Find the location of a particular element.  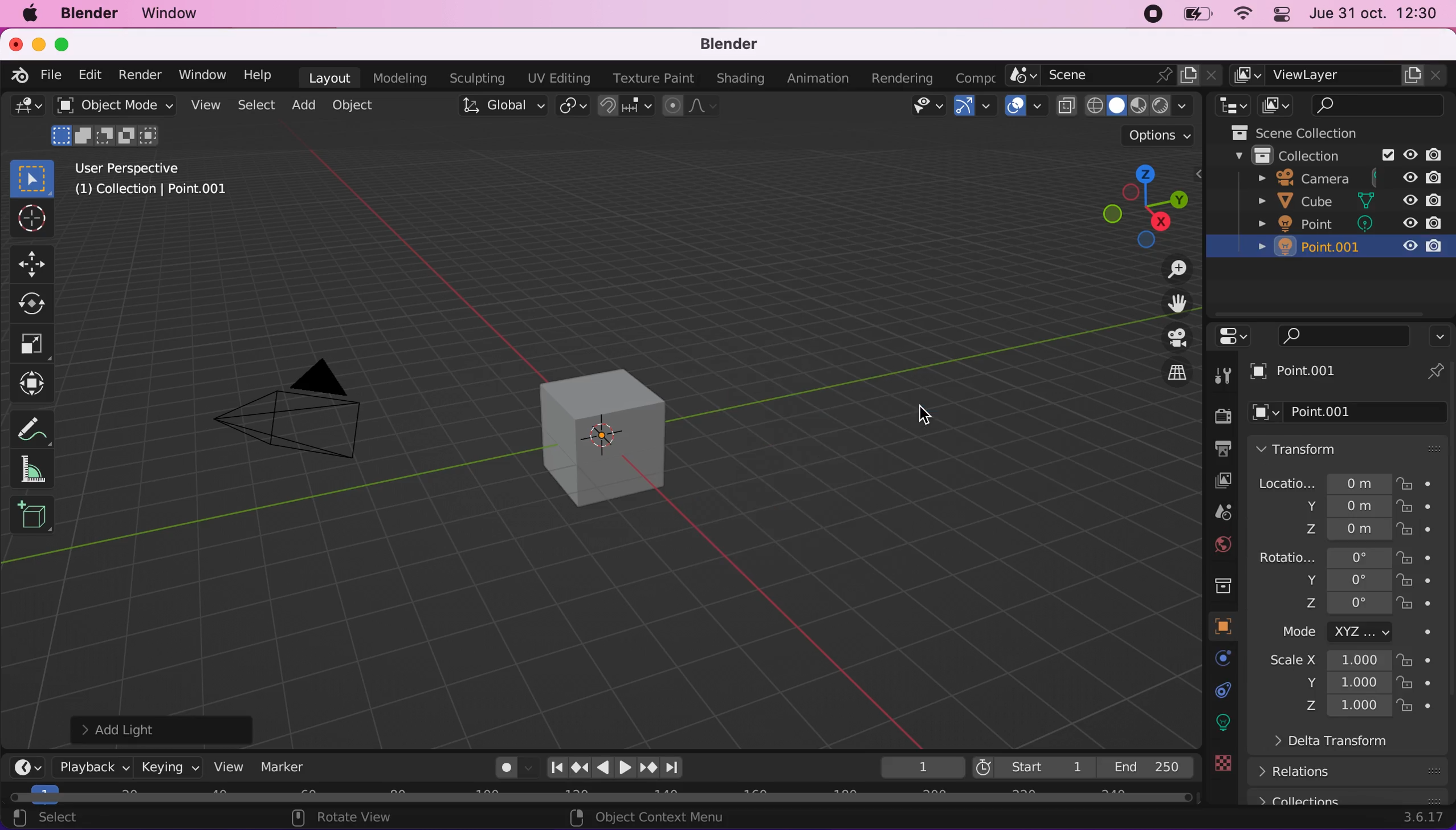

sculpting is located at coordinates (479, 79).